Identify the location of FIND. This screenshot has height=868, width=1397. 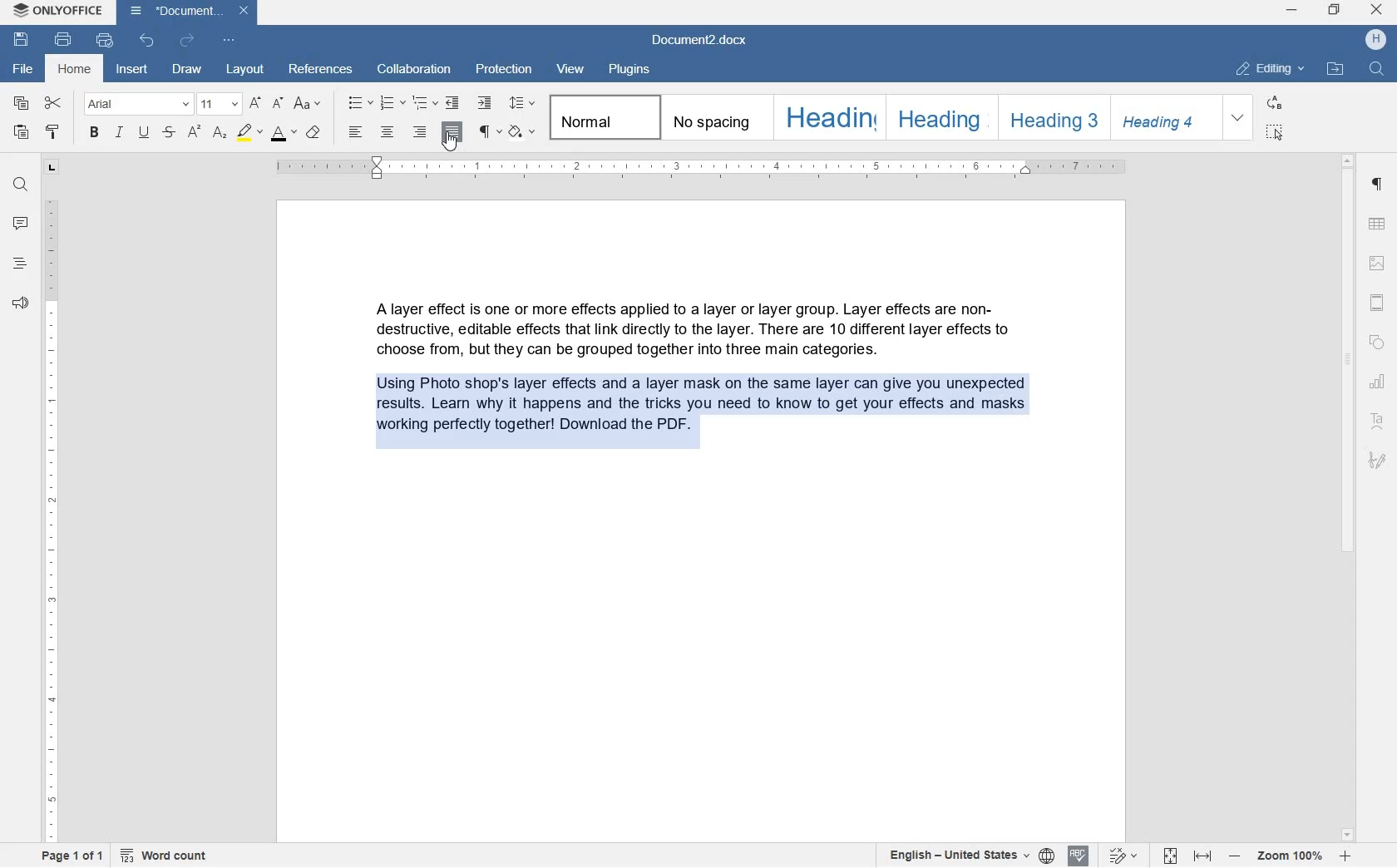
(21, 186).